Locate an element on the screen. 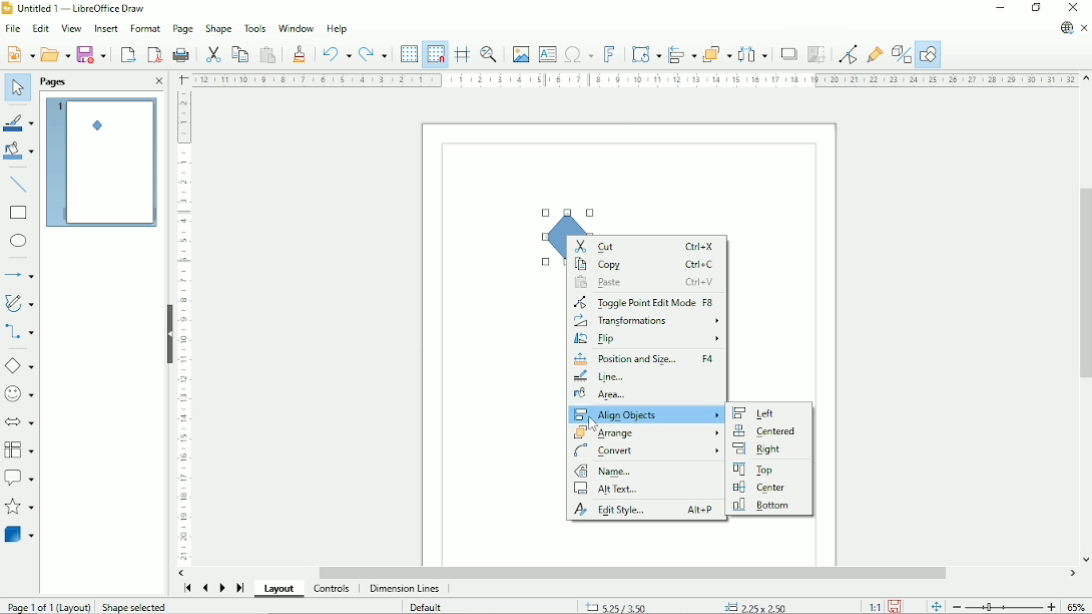 This screenshot has width=1092, height=614. Area is located at coordinates (646, 395).